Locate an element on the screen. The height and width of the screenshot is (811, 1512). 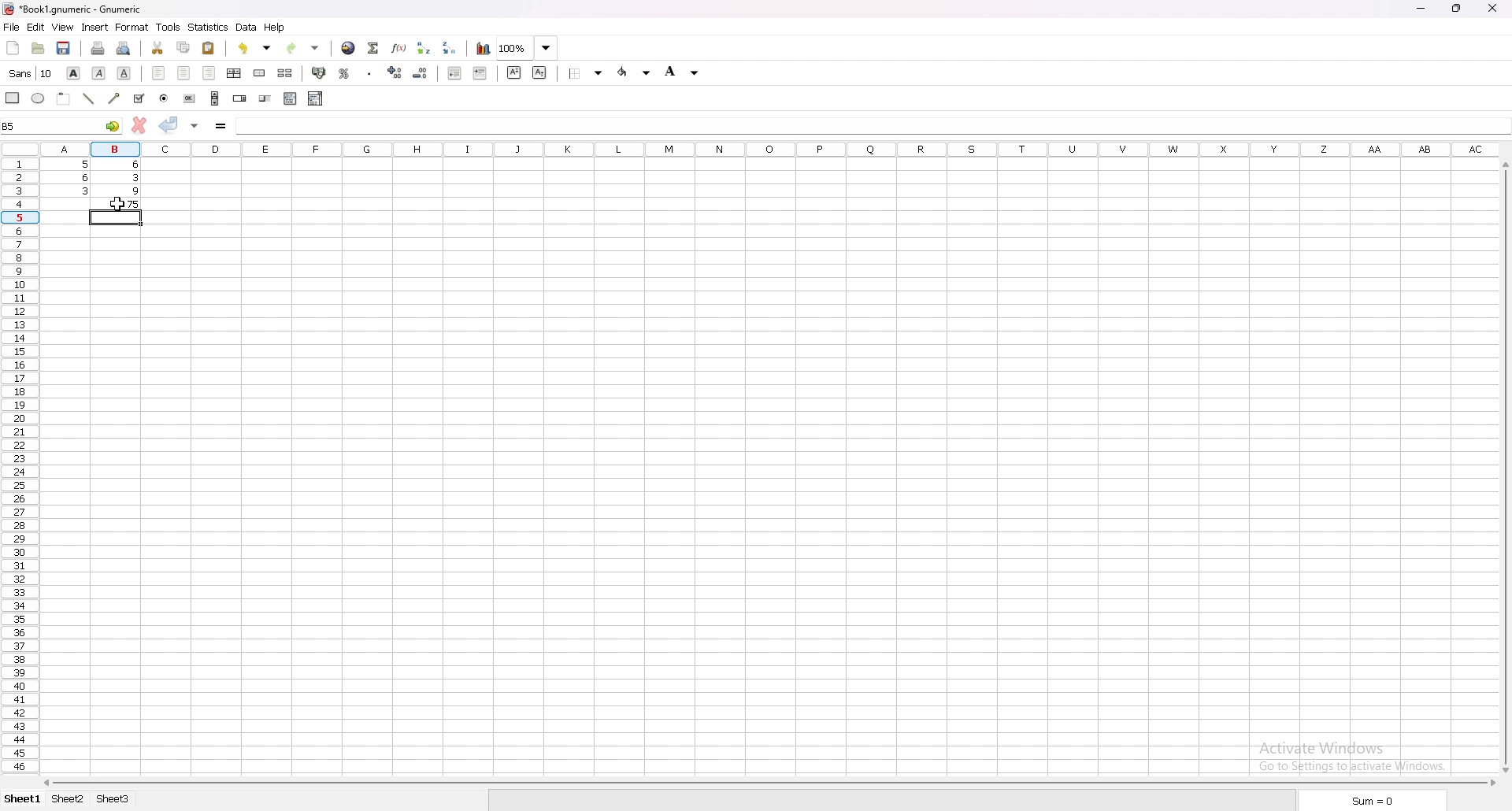
increase indent is located at coordinates (480, 73).